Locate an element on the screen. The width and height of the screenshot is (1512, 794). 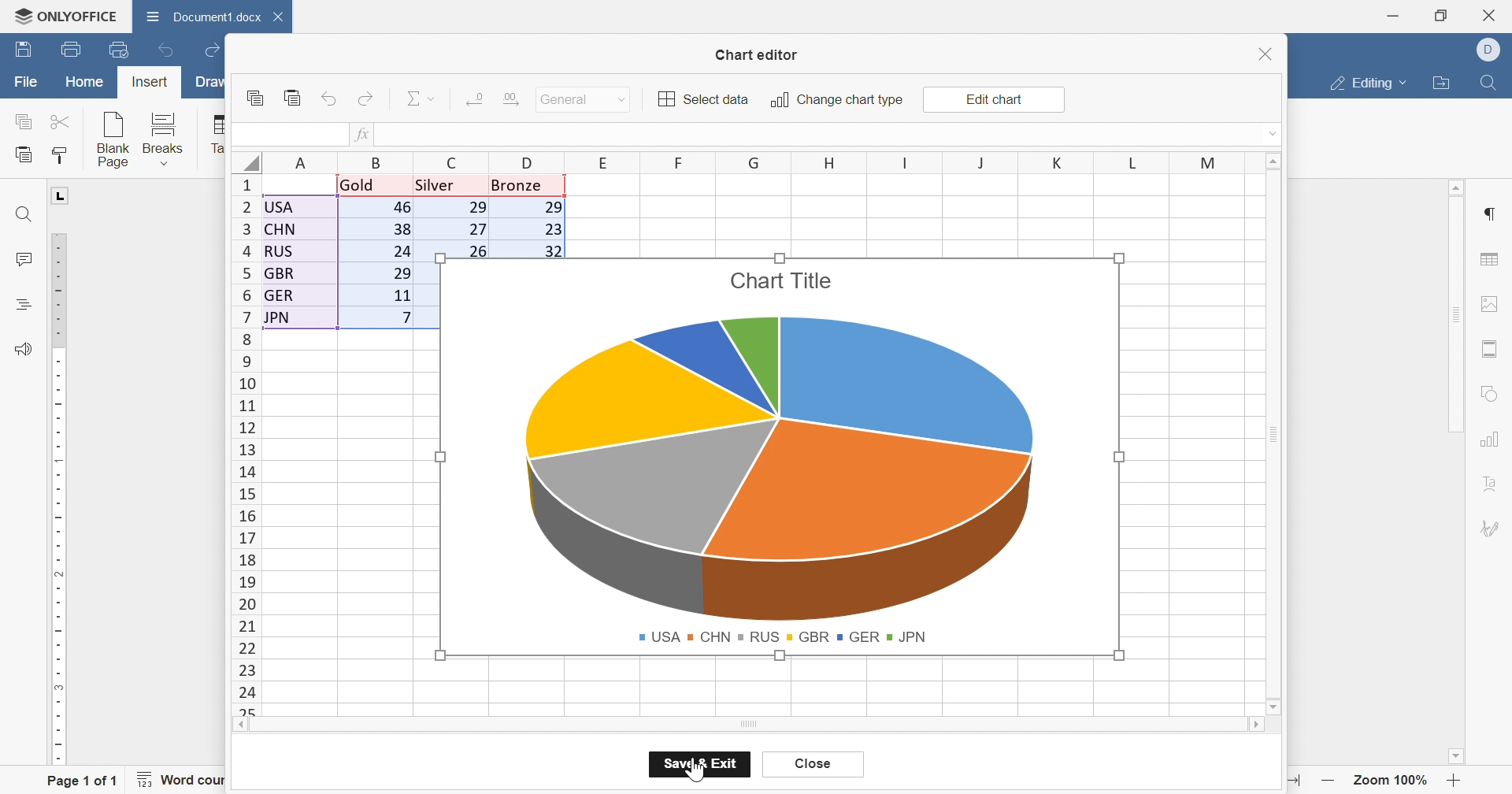
Header & Footer settings is located at coordinates (1494, 348).